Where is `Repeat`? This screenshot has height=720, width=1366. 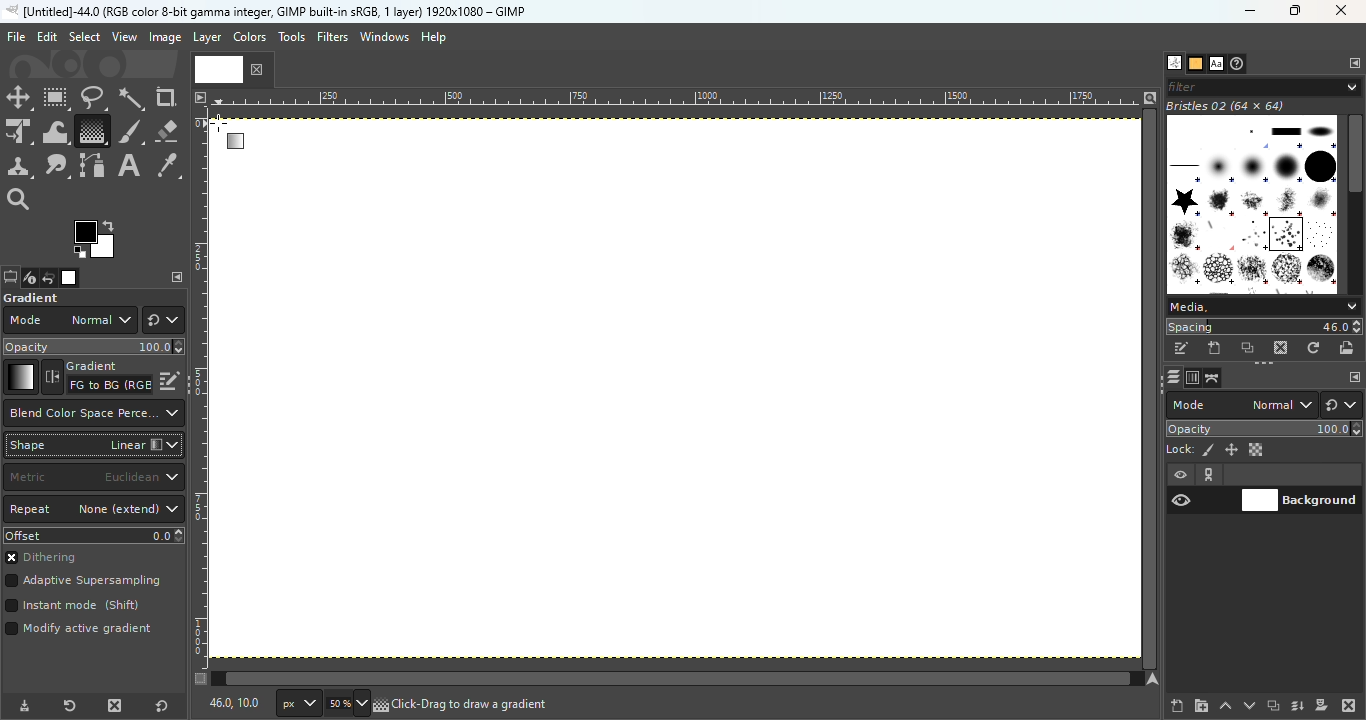 Repeat is located at coordinates (94, 510).